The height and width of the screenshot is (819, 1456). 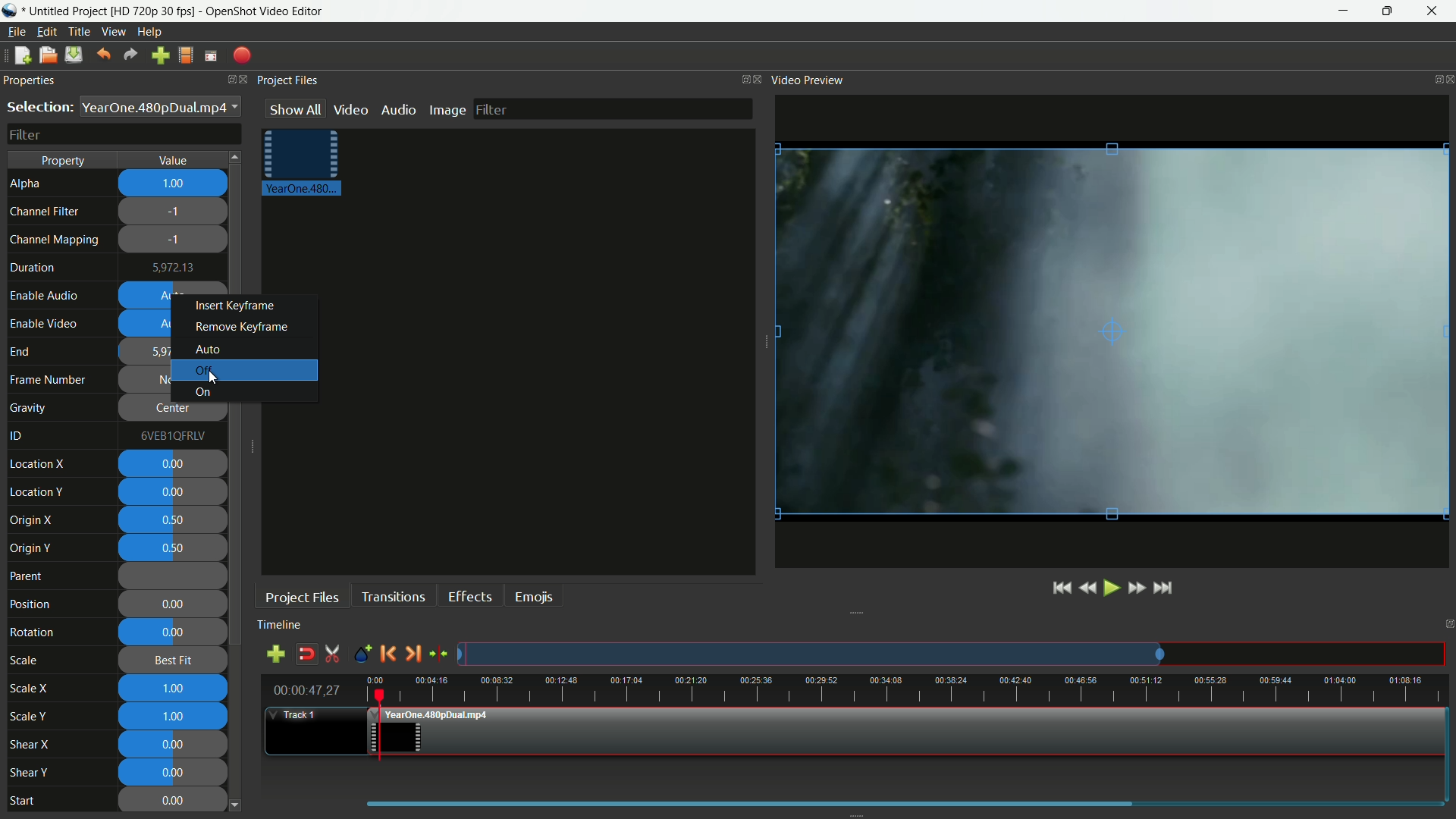 What do you see at coordinates (808, 80) in the screenshot?
I see `video preview` at bounding box center [808, 80].